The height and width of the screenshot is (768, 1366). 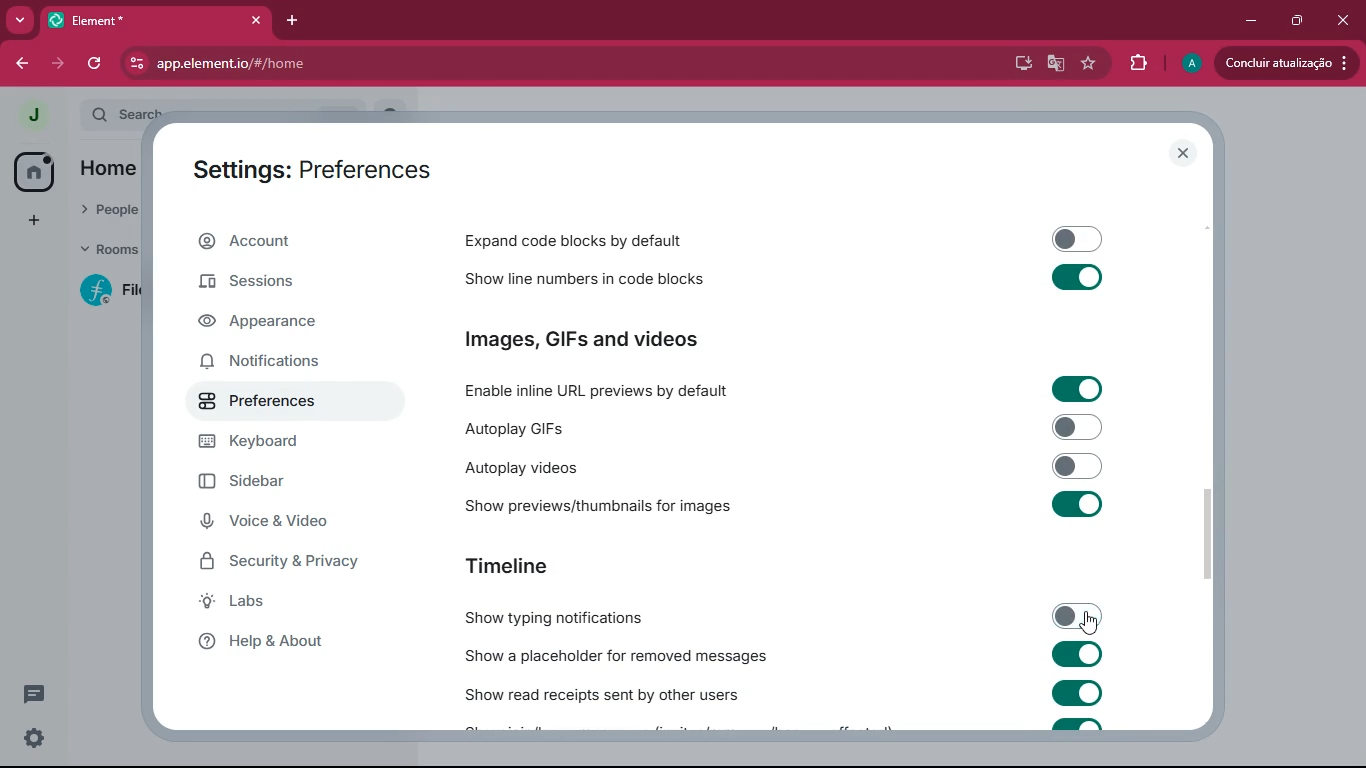 I want to click on toggle on/off, so click(x=1079, y=692).